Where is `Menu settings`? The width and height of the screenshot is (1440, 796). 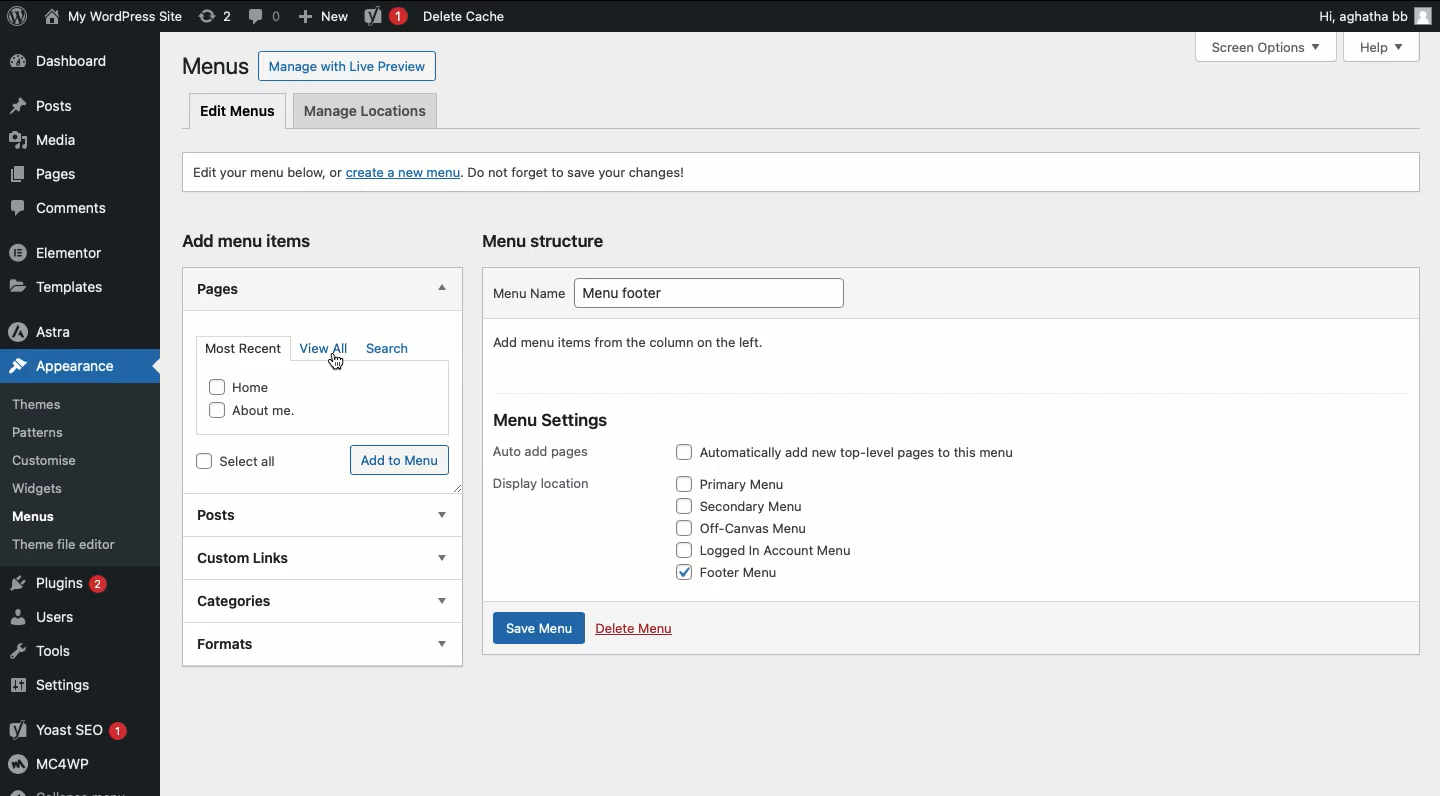 Menu settings is located at coordinates (553, 423).